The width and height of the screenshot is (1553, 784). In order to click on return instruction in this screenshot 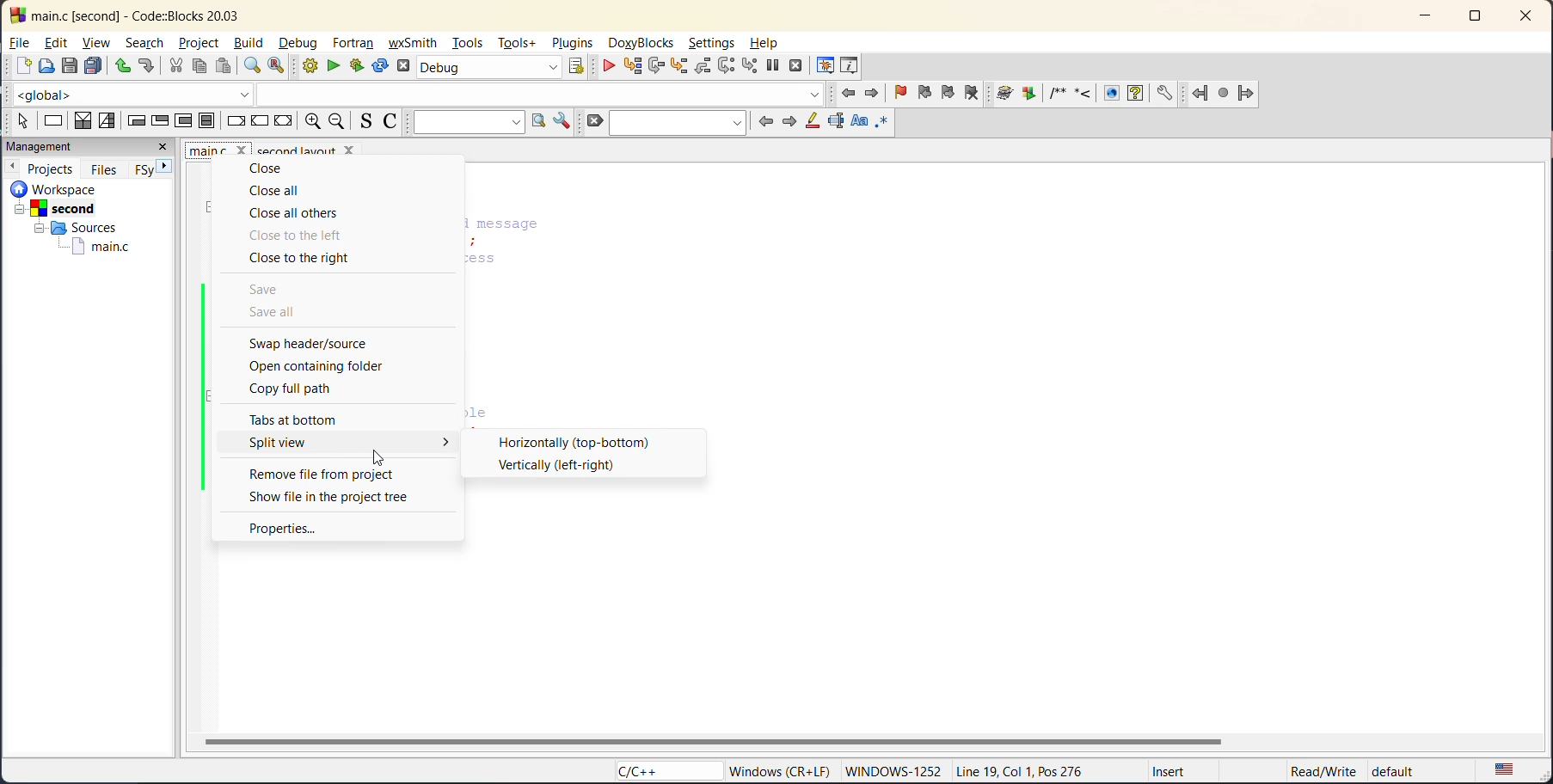, I will do `click(284, 121)`.